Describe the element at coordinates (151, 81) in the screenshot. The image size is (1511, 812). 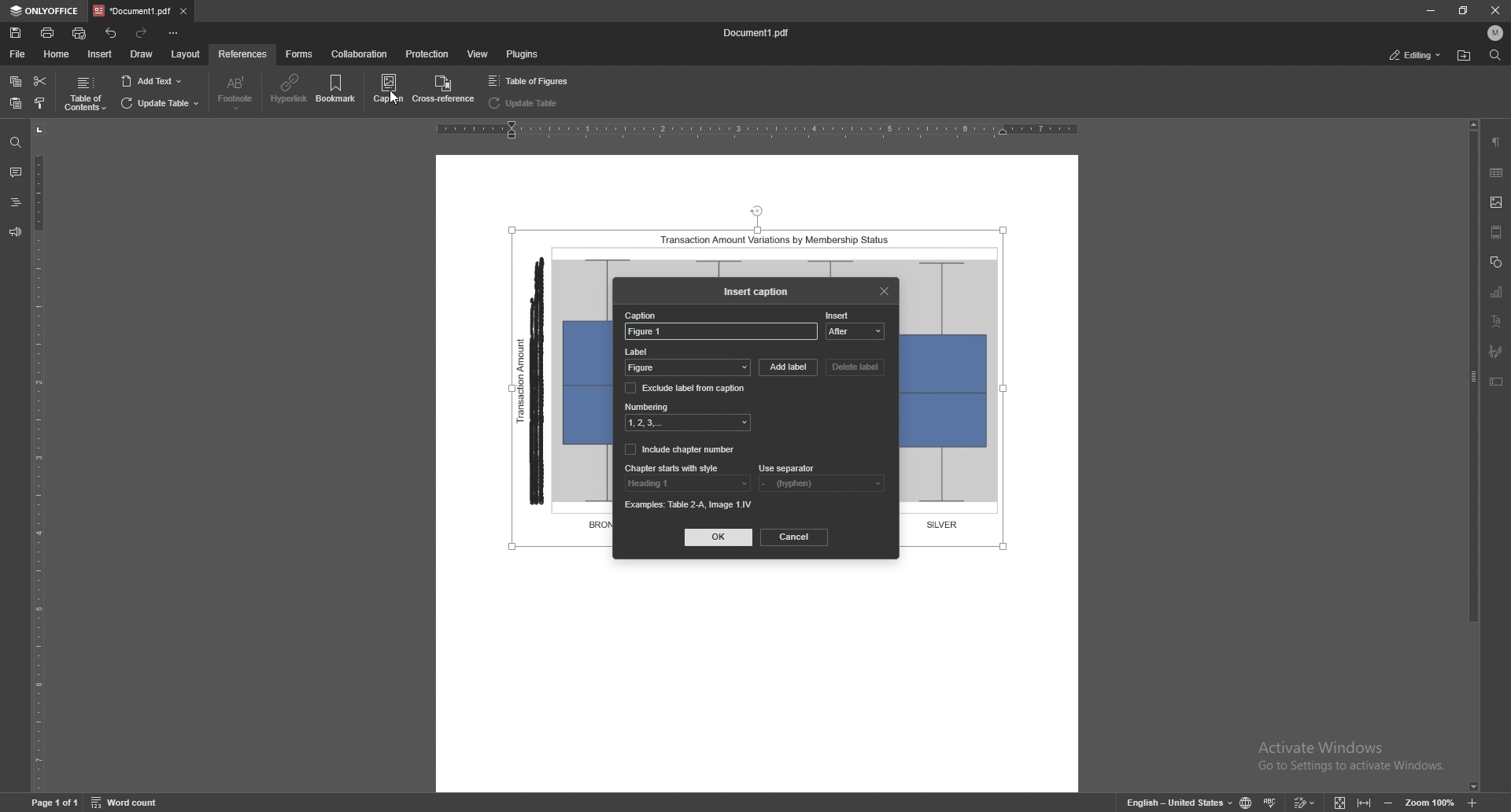
I see `add text` at that location.